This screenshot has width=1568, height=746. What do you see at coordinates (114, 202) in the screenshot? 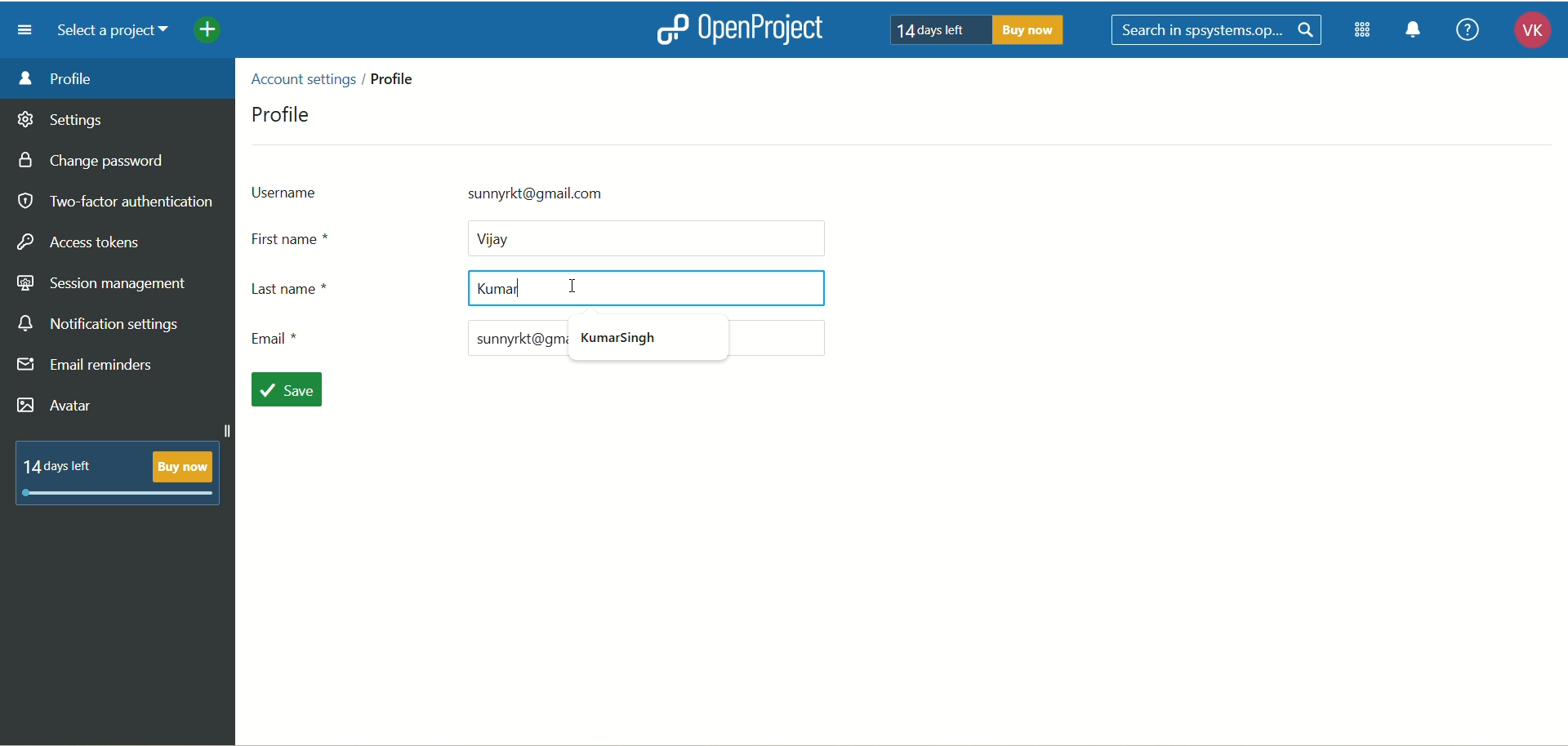
I see `two-factor authentication` at bounding box center [114, 202].